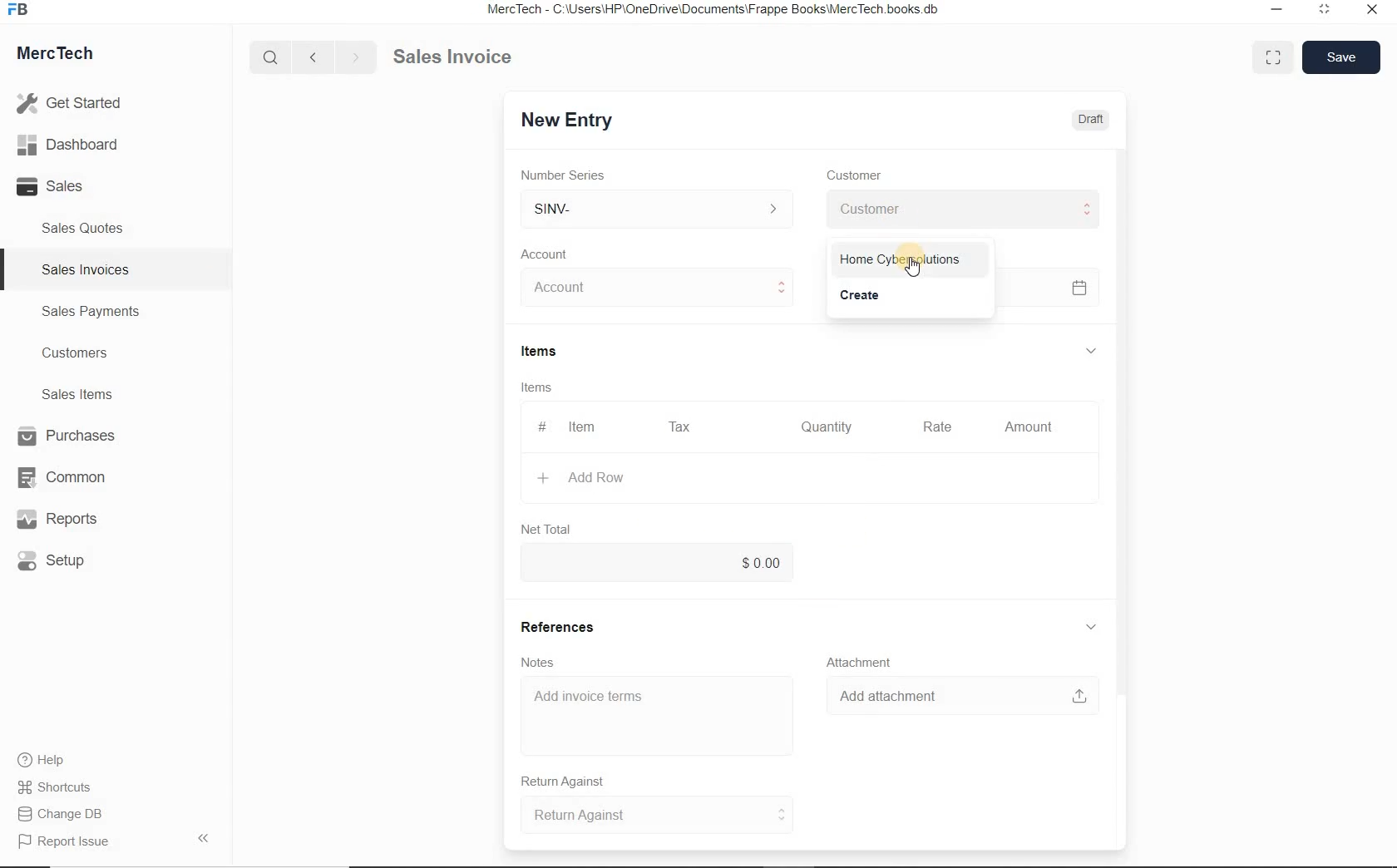  Describe the element at coordinates (70, 560) in the screenshot. I see `Setup` at that location.